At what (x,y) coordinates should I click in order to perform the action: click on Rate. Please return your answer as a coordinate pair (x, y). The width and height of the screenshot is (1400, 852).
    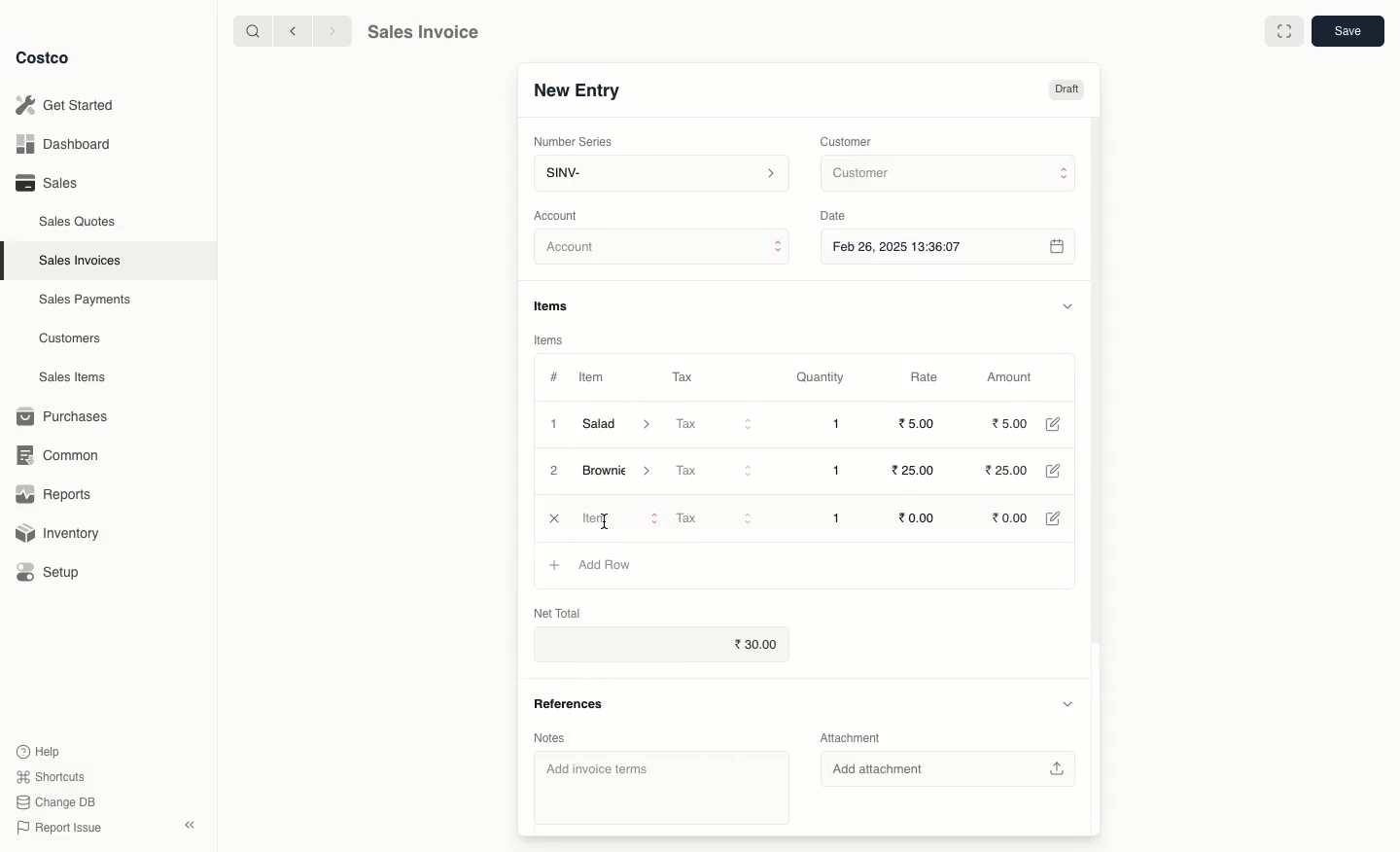
    Looking at the image, I should click on (927, 377).